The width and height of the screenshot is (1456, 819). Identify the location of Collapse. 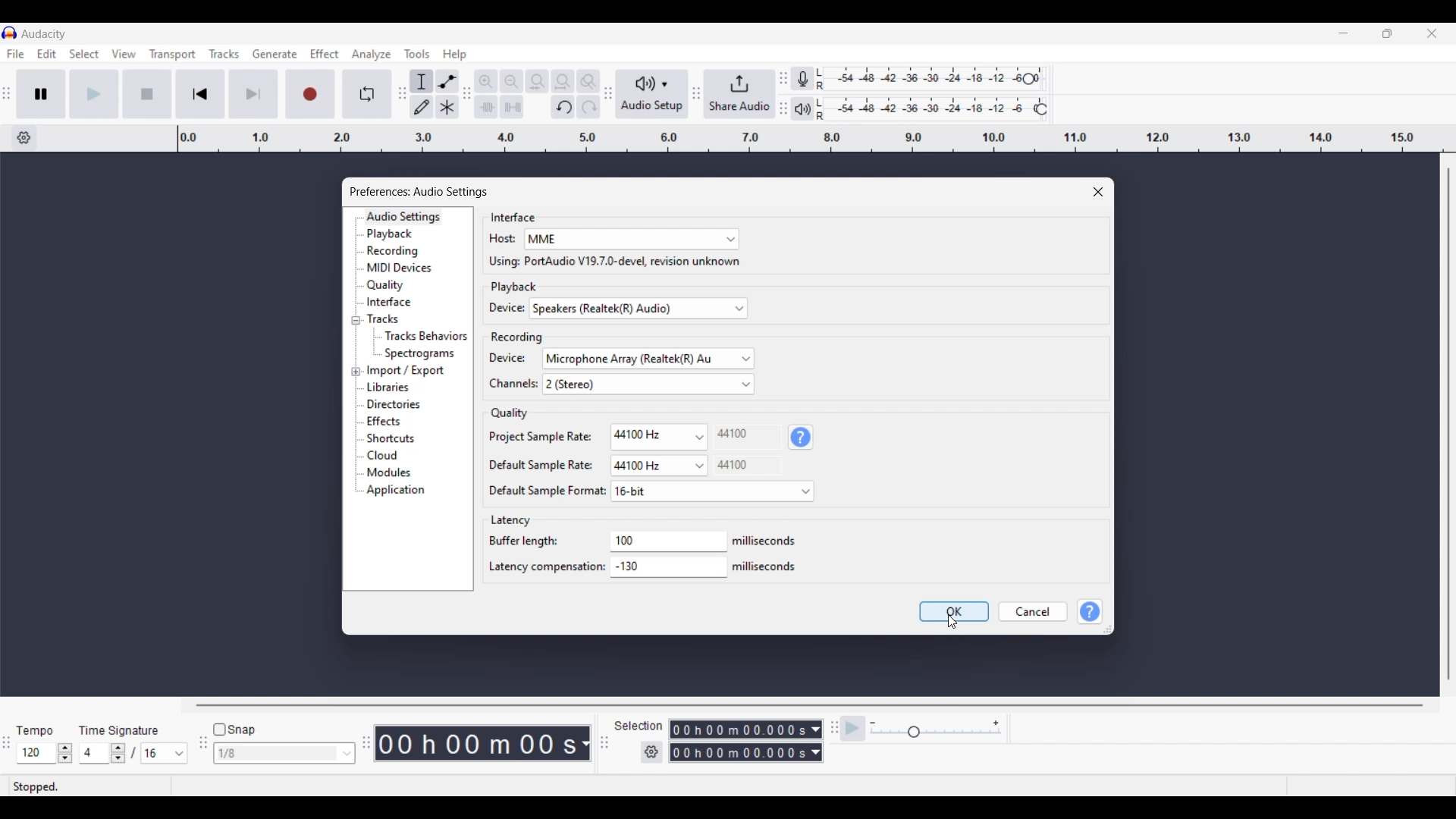
(356, 321).